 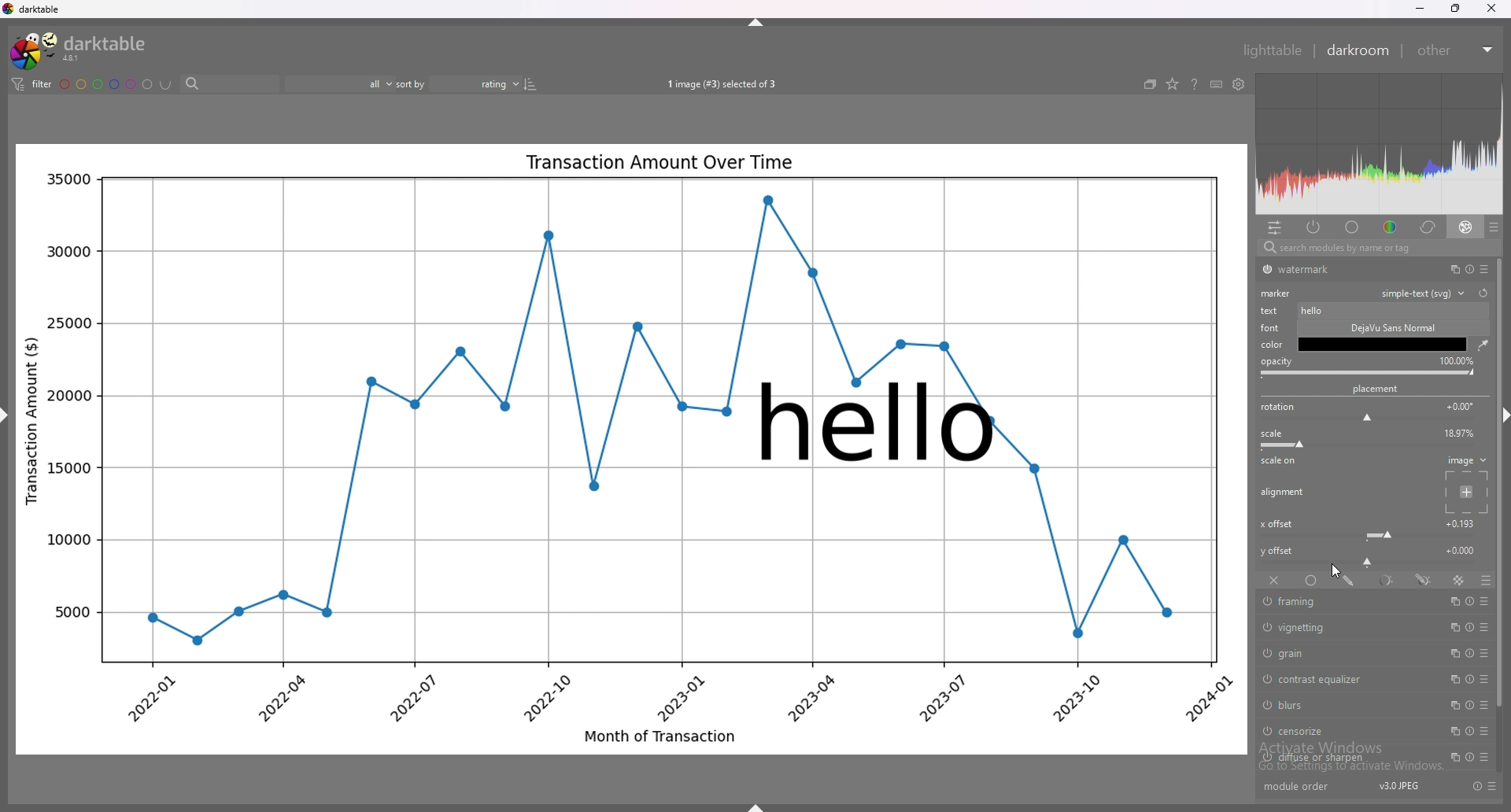 I want to click on show global preferences, so click(x=1238, y=84).